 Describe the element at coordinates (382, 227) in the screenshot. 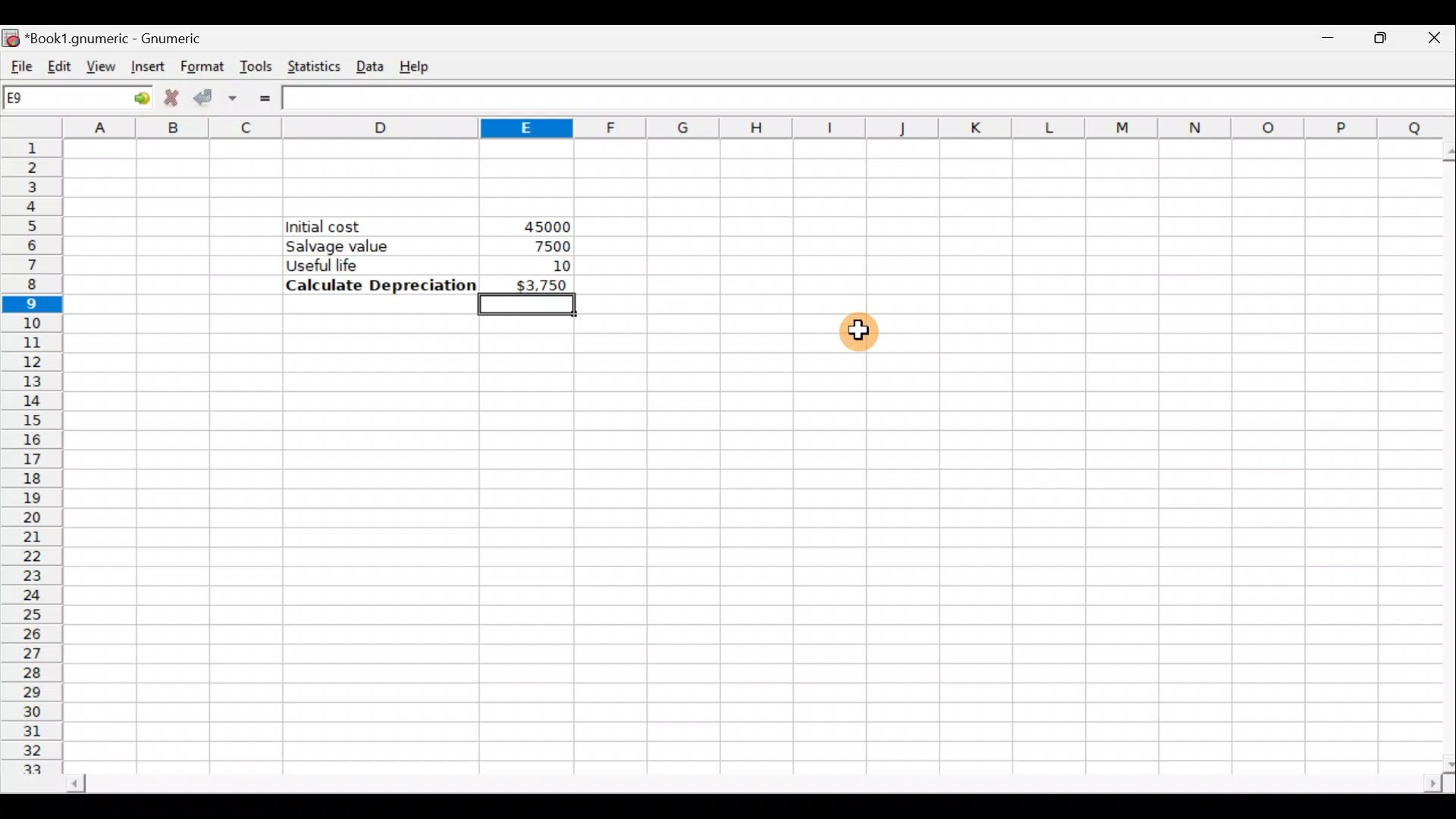

I see `Initial cost` at that location.